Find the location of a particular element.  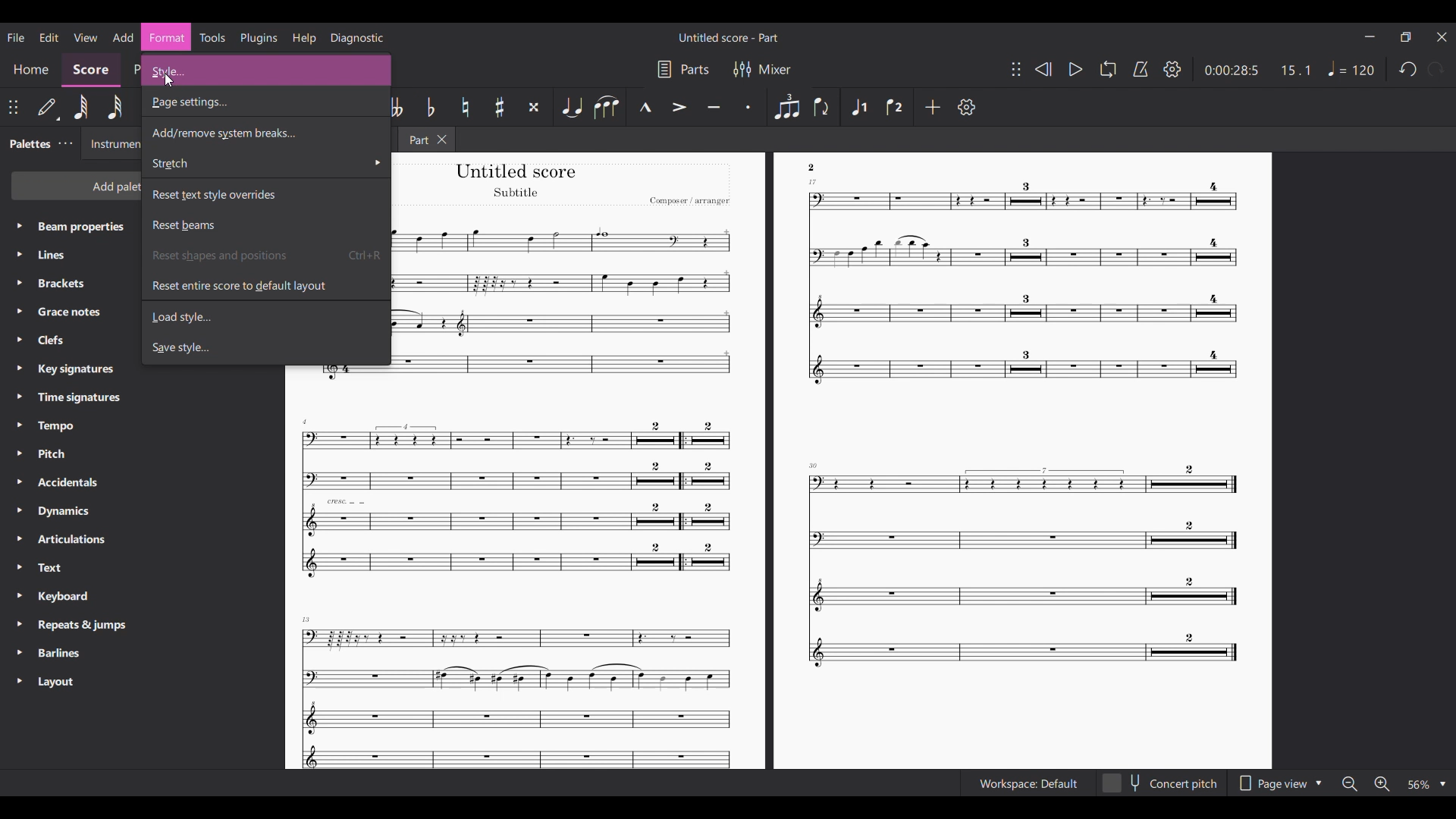

cursor is located at coordinates (172, 82).